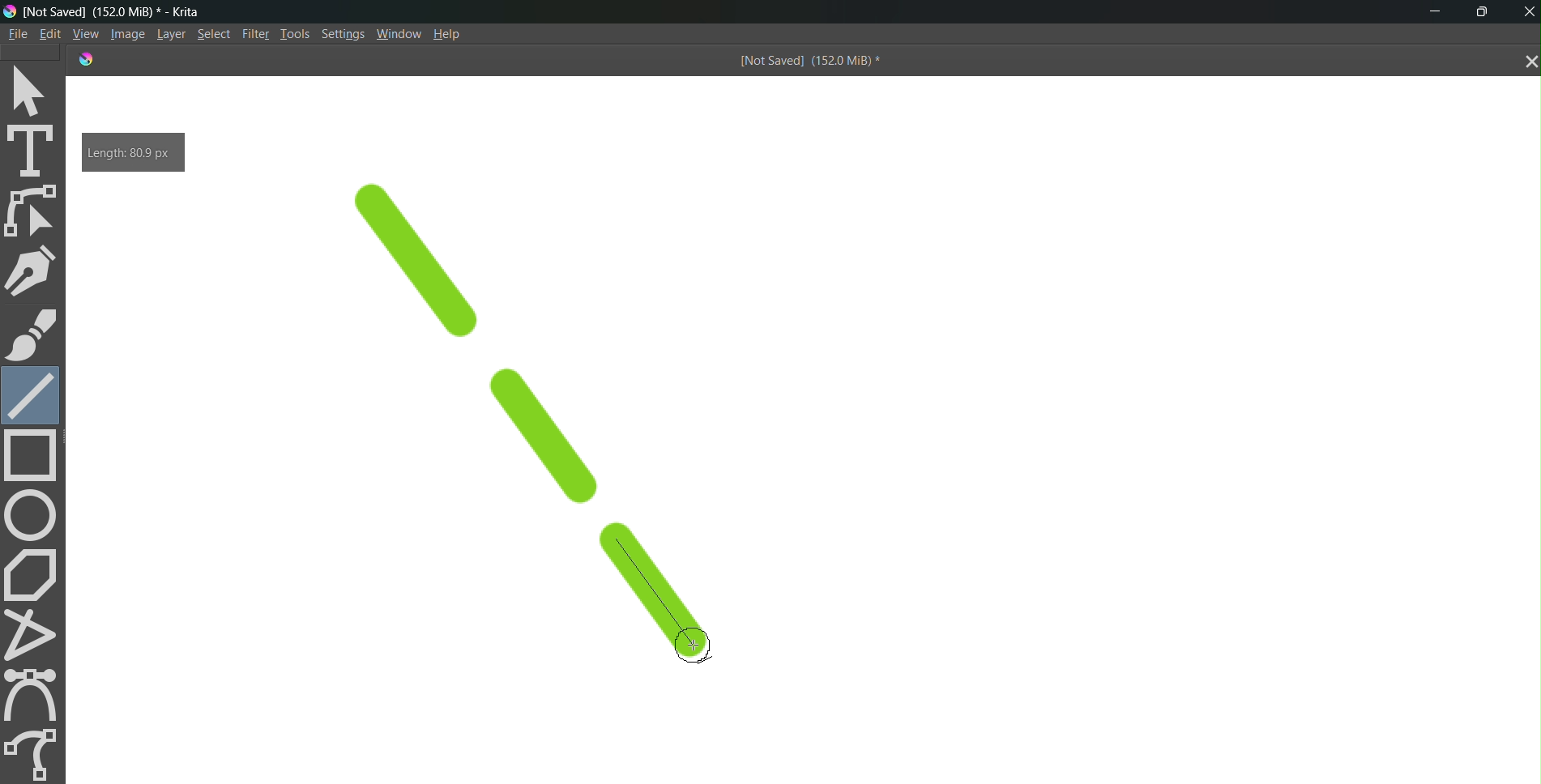 This screenshot has width=1541, height=784. What do you see at coordinates (807, 62) in the screenshot?
I see `[Not Saved] (151.9 MiB) *` at bounding box center [807, 62].